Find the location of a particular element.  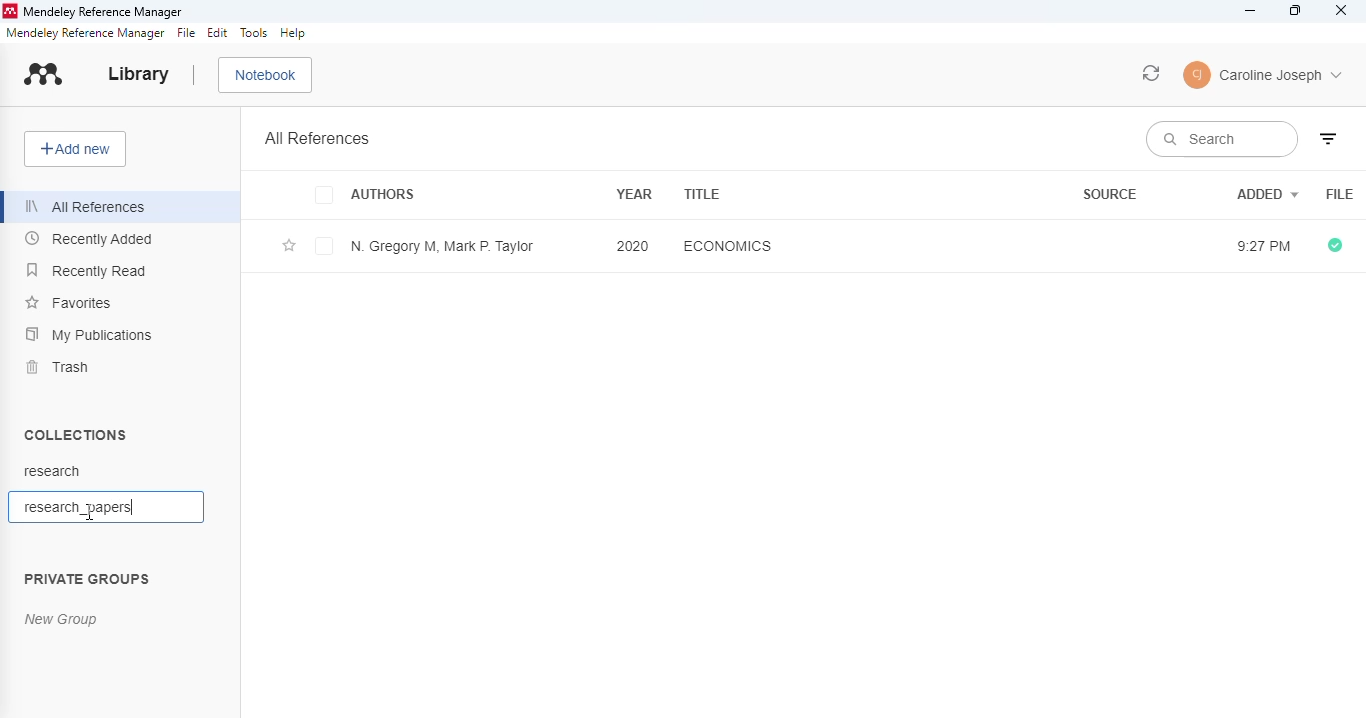

Caroline Joseph is located at coordinates (1282, 77).